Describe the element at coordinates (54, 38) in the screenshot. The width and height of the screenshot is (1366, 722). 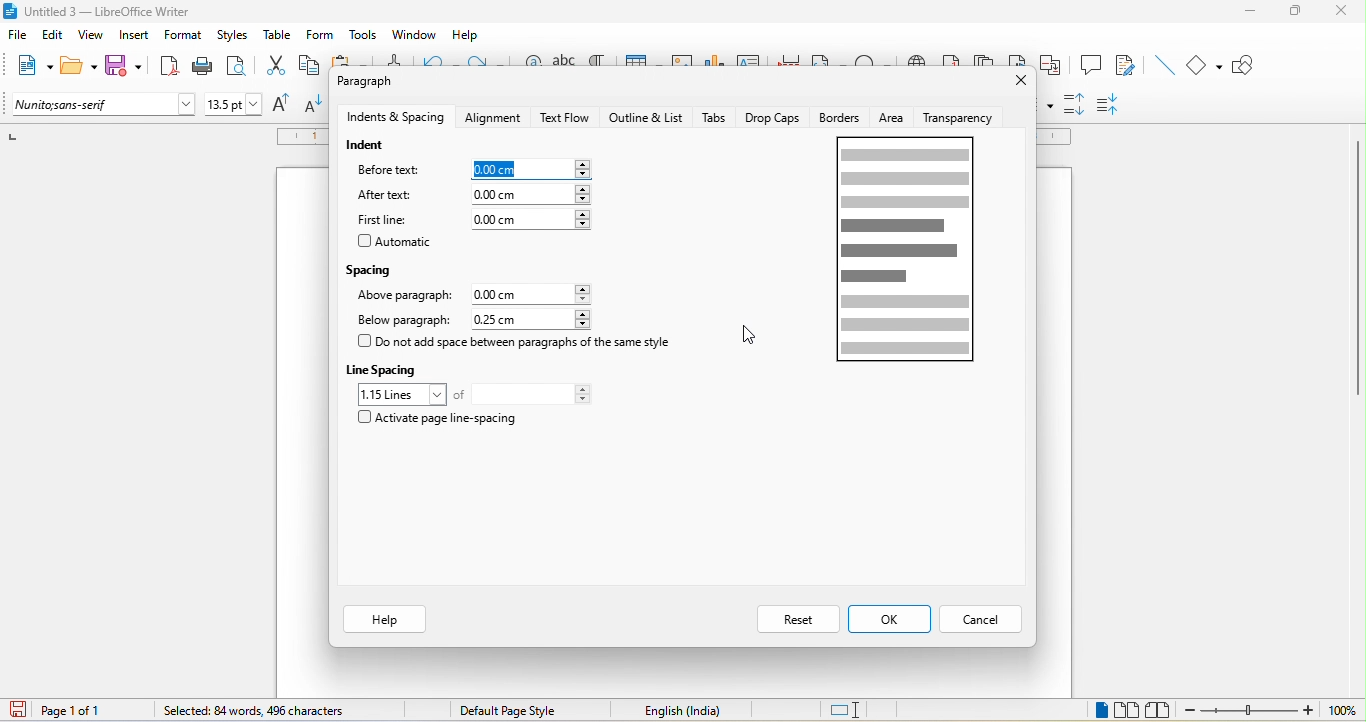
I see `edit` at that location.